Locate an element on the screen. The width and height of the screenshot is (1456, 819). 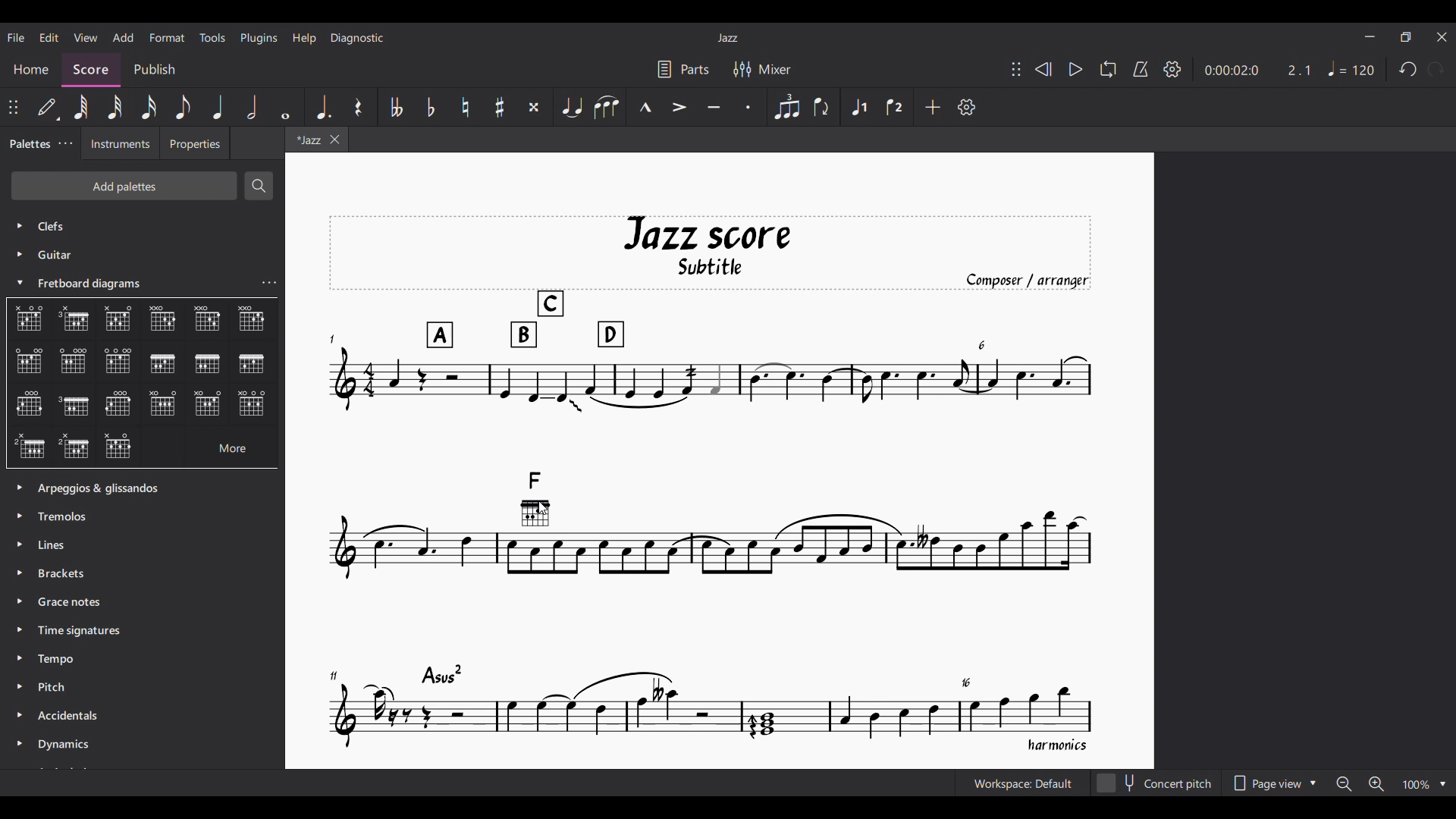
Instruments is located at coordinates (118, 145).